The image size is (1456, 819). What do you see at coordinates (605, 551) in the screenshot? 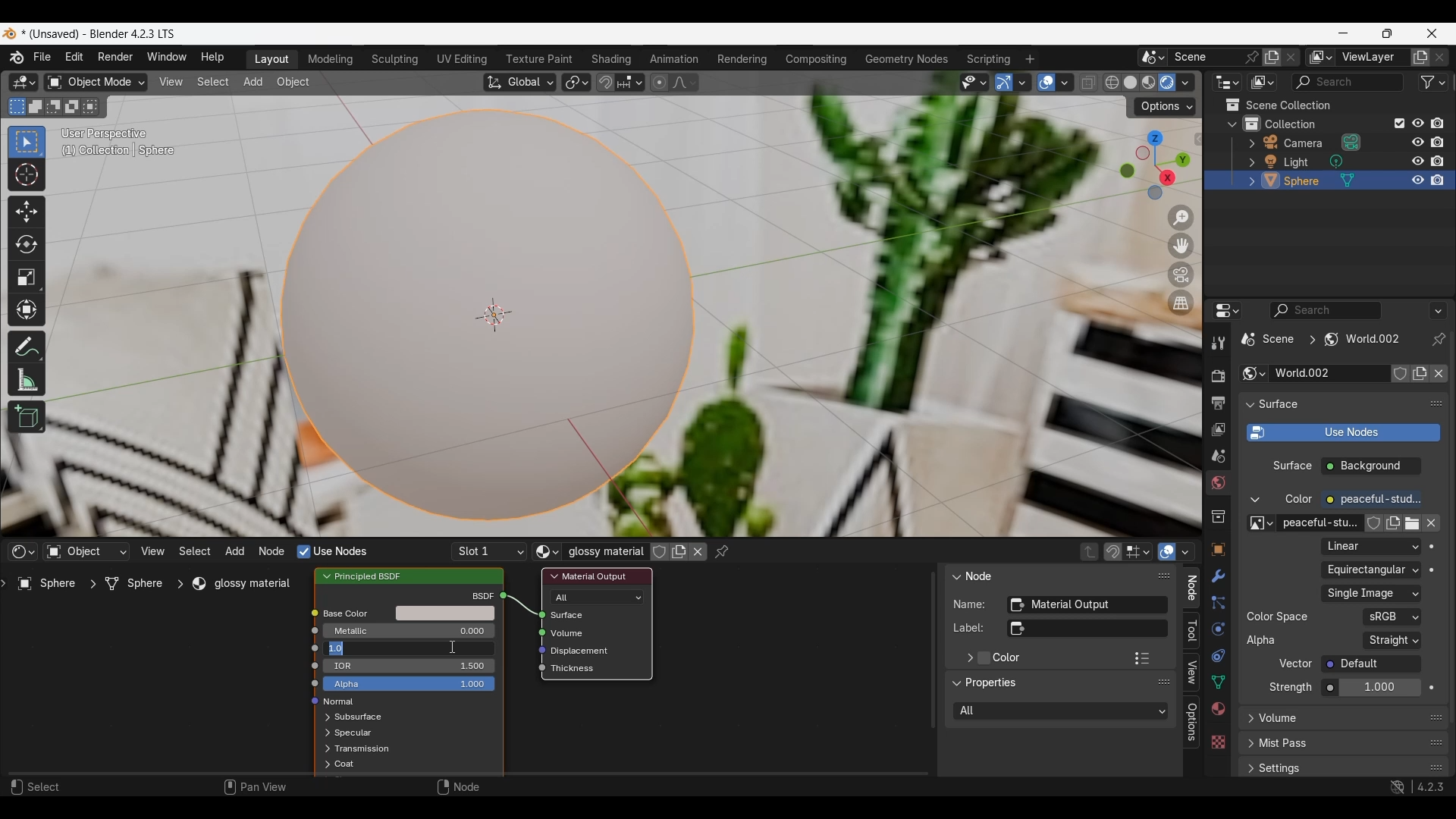
I see `Glossy material` at bounding box center [605, 551].